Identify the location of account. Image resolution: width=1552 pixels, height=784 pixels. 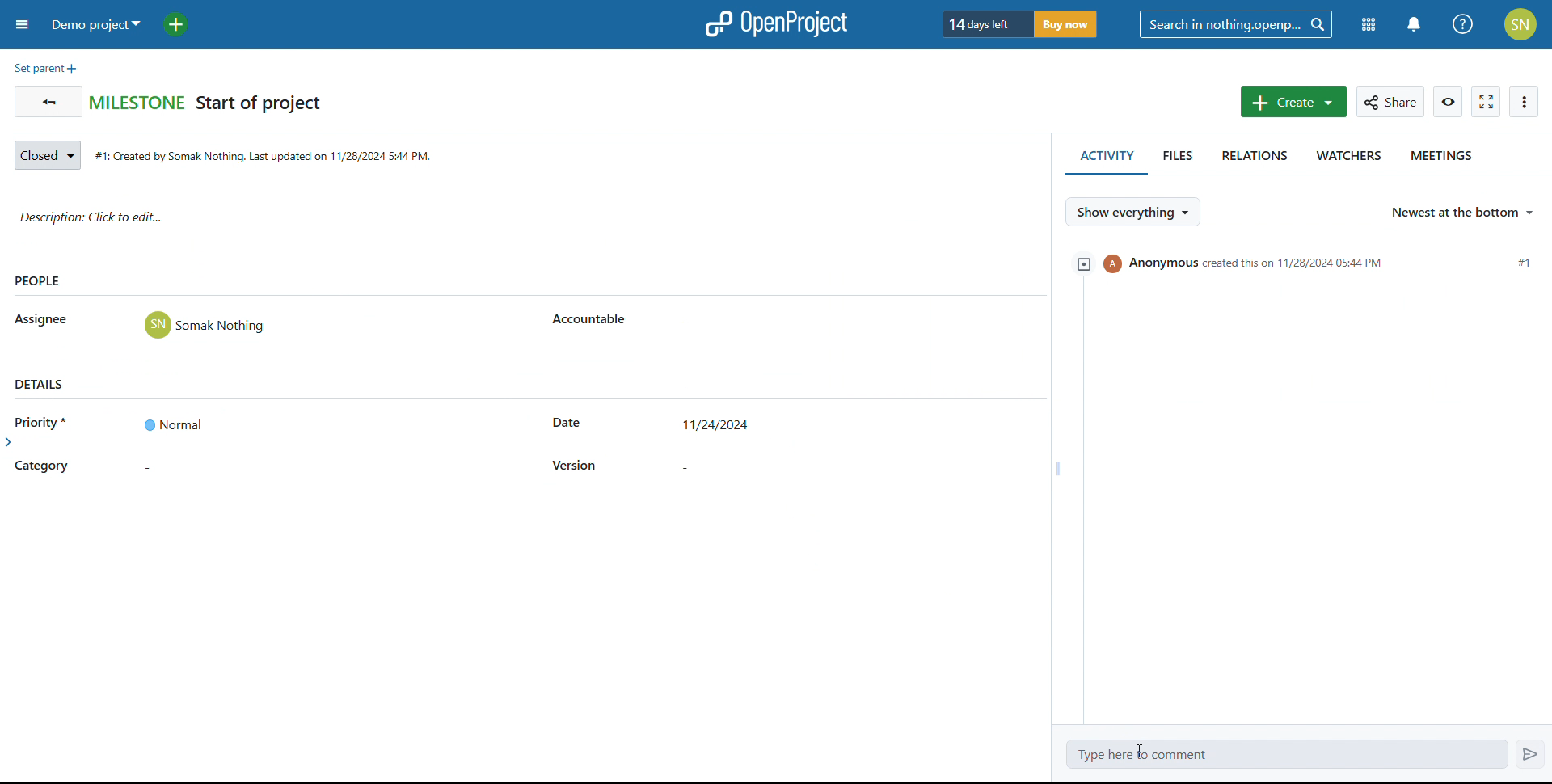
(1520, 24).